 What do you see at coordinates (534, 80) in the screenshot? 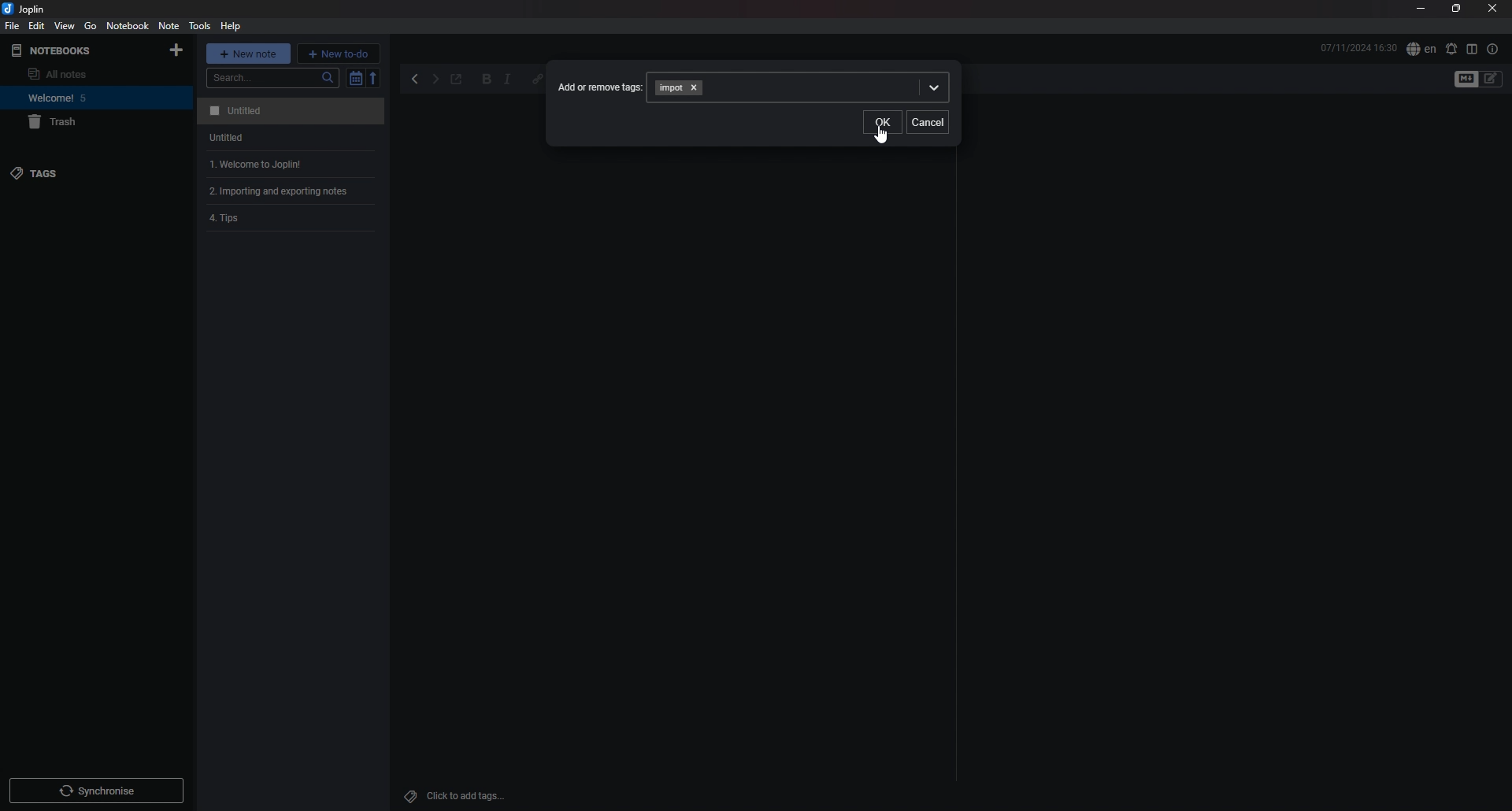
I see `hyperlink` at bounding box center [534, 80].